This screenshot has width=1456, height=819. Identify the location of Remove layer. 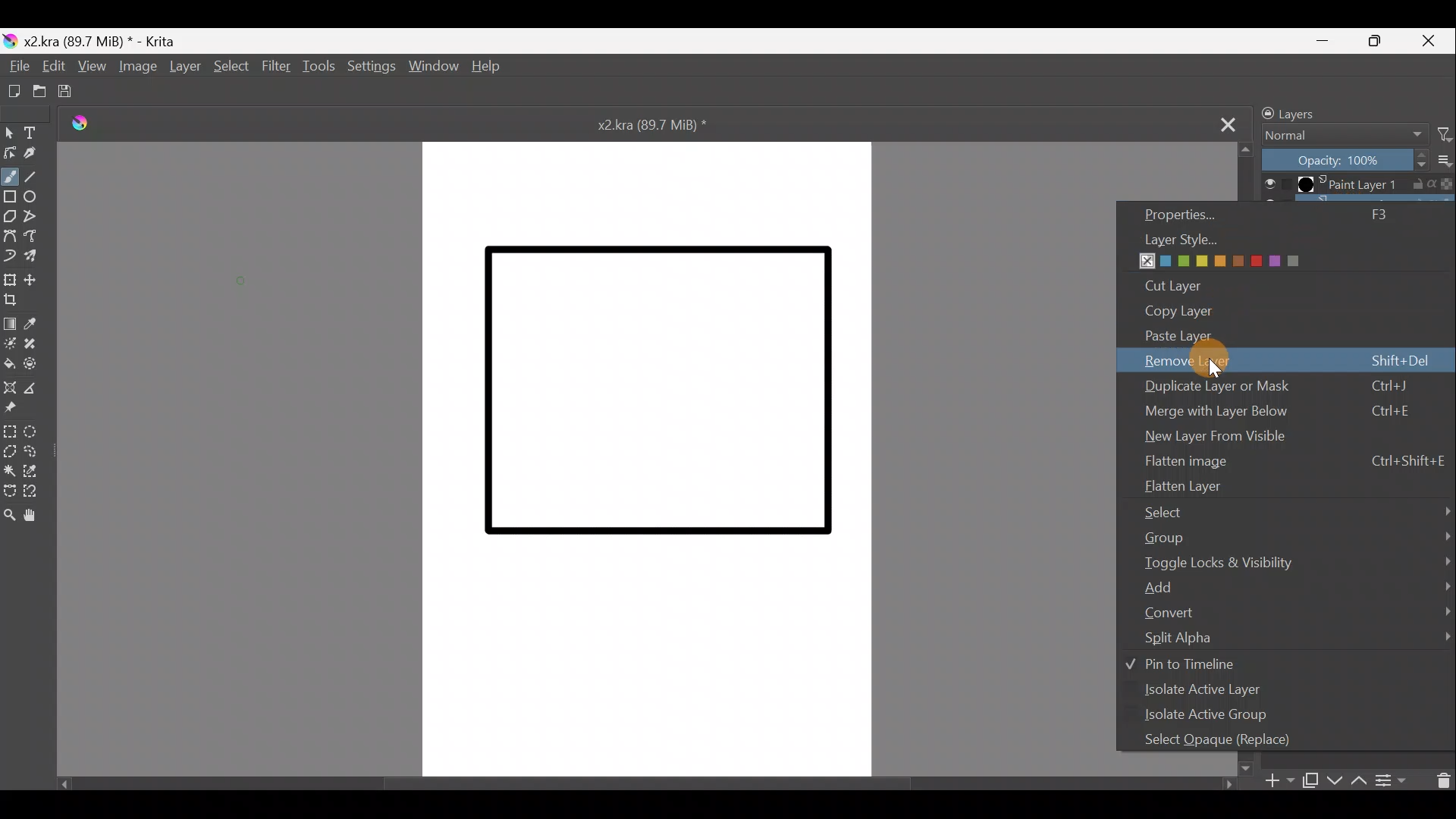
(1289, 359).